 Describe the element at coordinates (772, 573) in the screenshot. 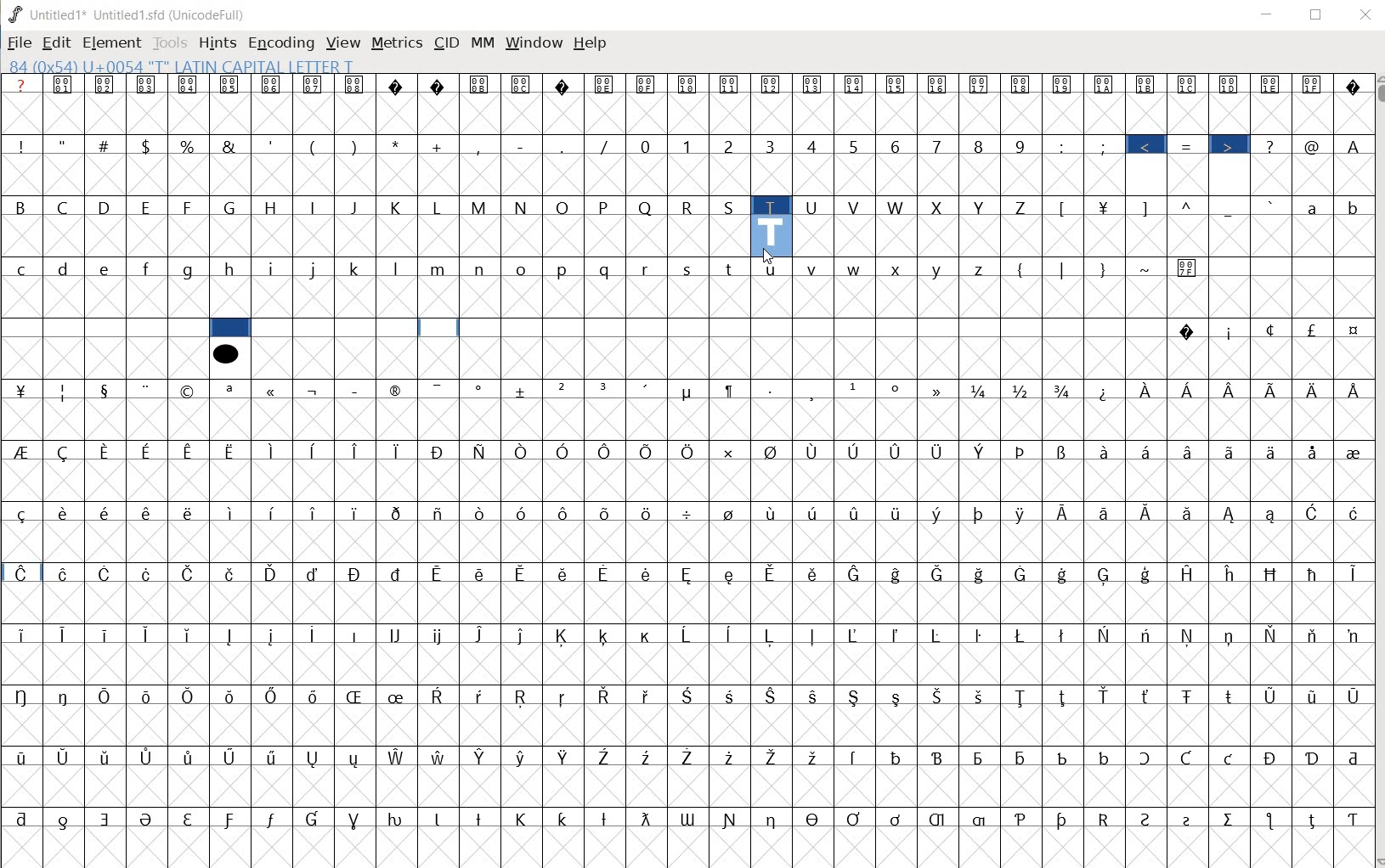

I see `Symbol` at that location.